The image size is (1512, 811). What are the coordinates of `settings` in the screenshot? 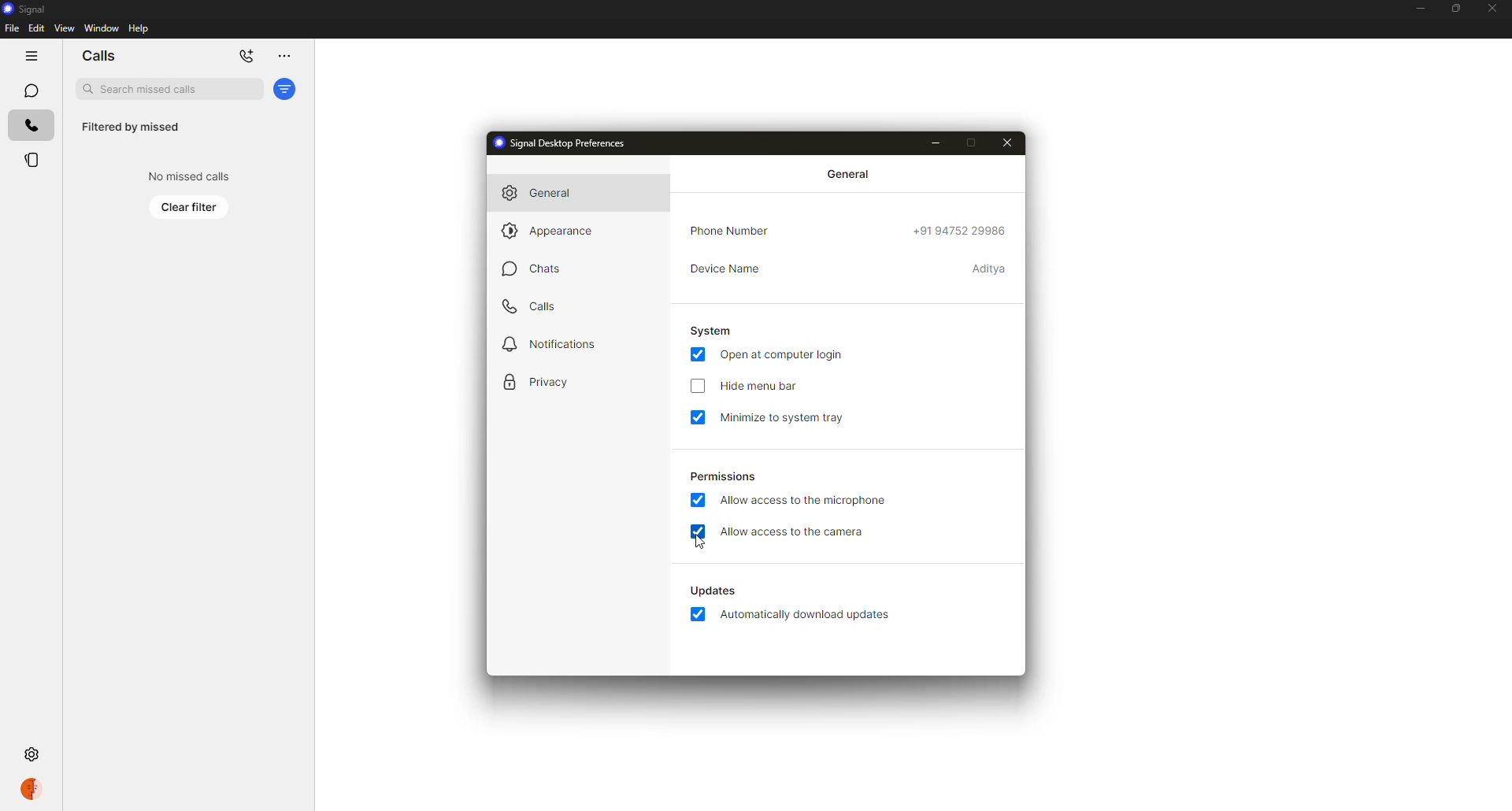 It's located at (34, 756).